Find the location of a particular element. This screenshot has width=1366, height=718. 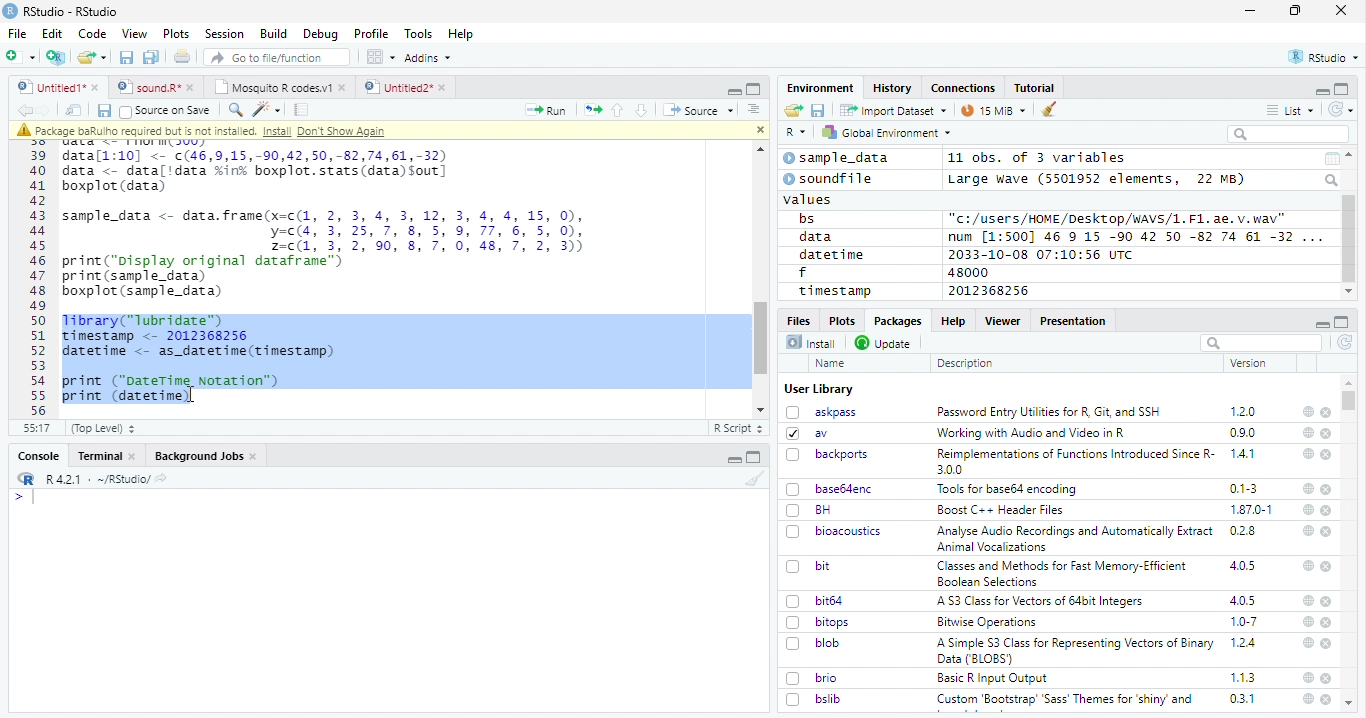

Viewer is located at coordinates (1003, 320).